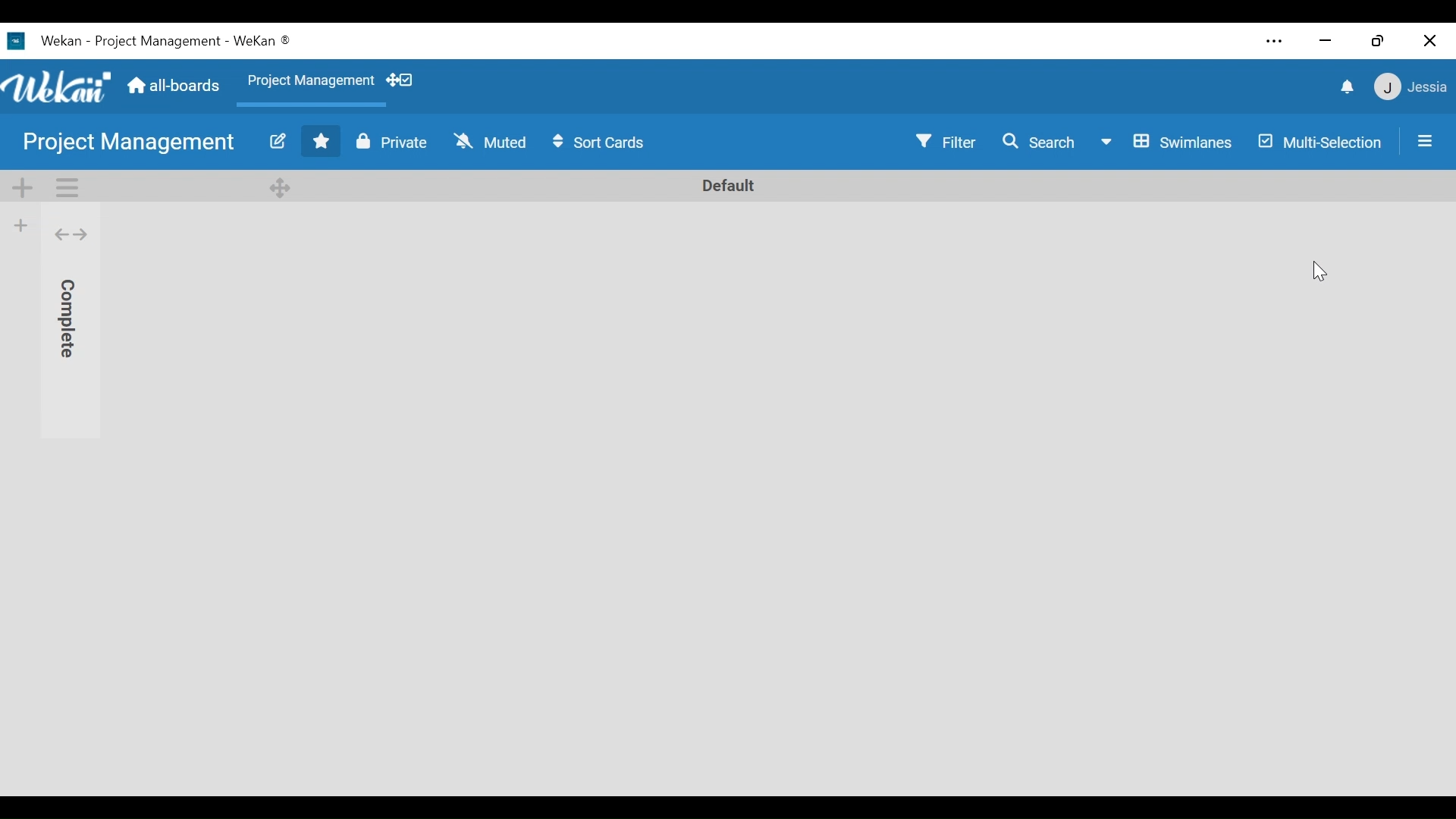  What do you see at coordinates (393, 140) in the screenshot?
I see `Private` at bounding box center [393, 140].